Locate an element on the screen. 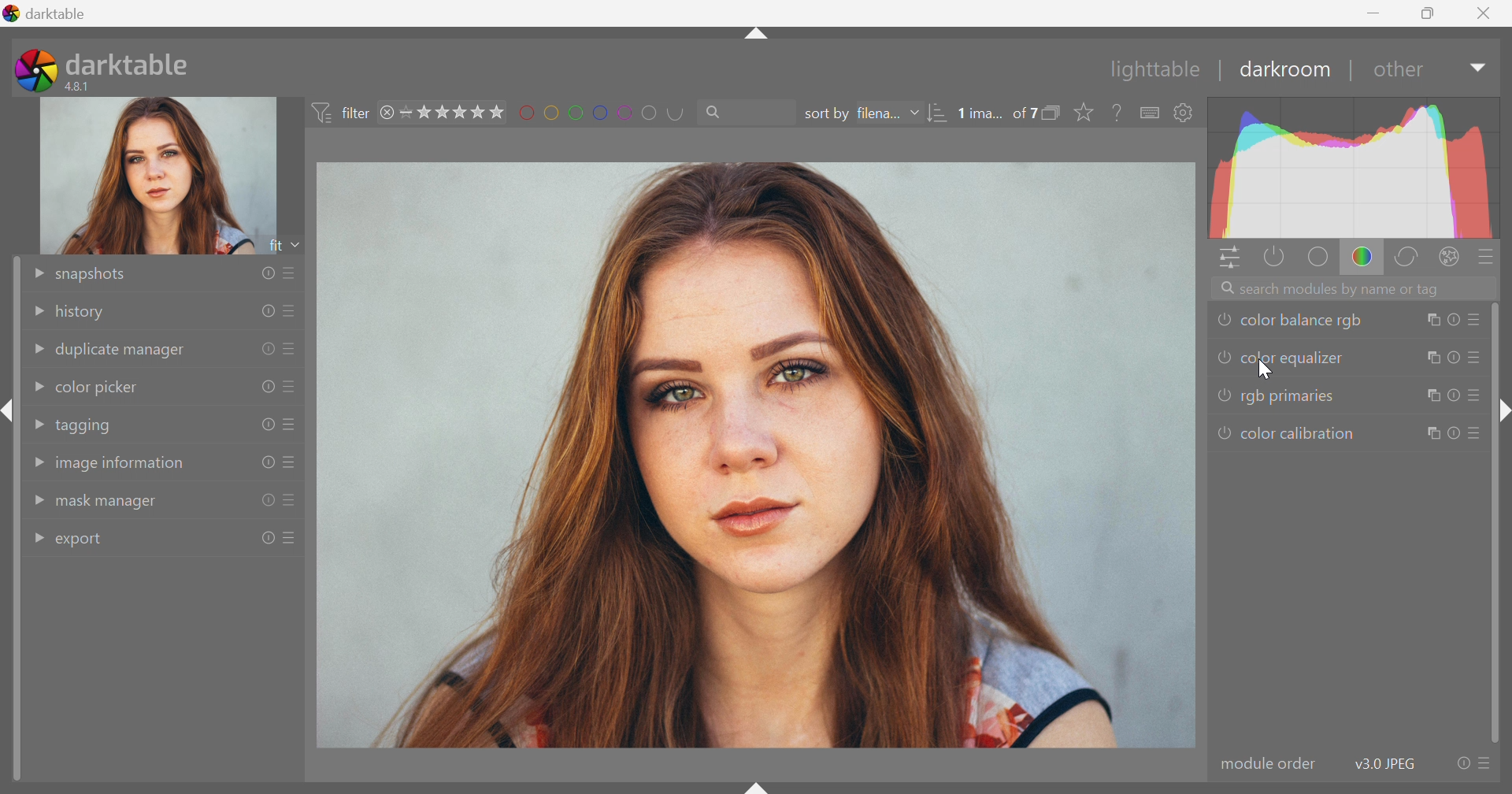 This screenshot has width=1512, height=794. darktable icon is located at coordinates (32, 70).